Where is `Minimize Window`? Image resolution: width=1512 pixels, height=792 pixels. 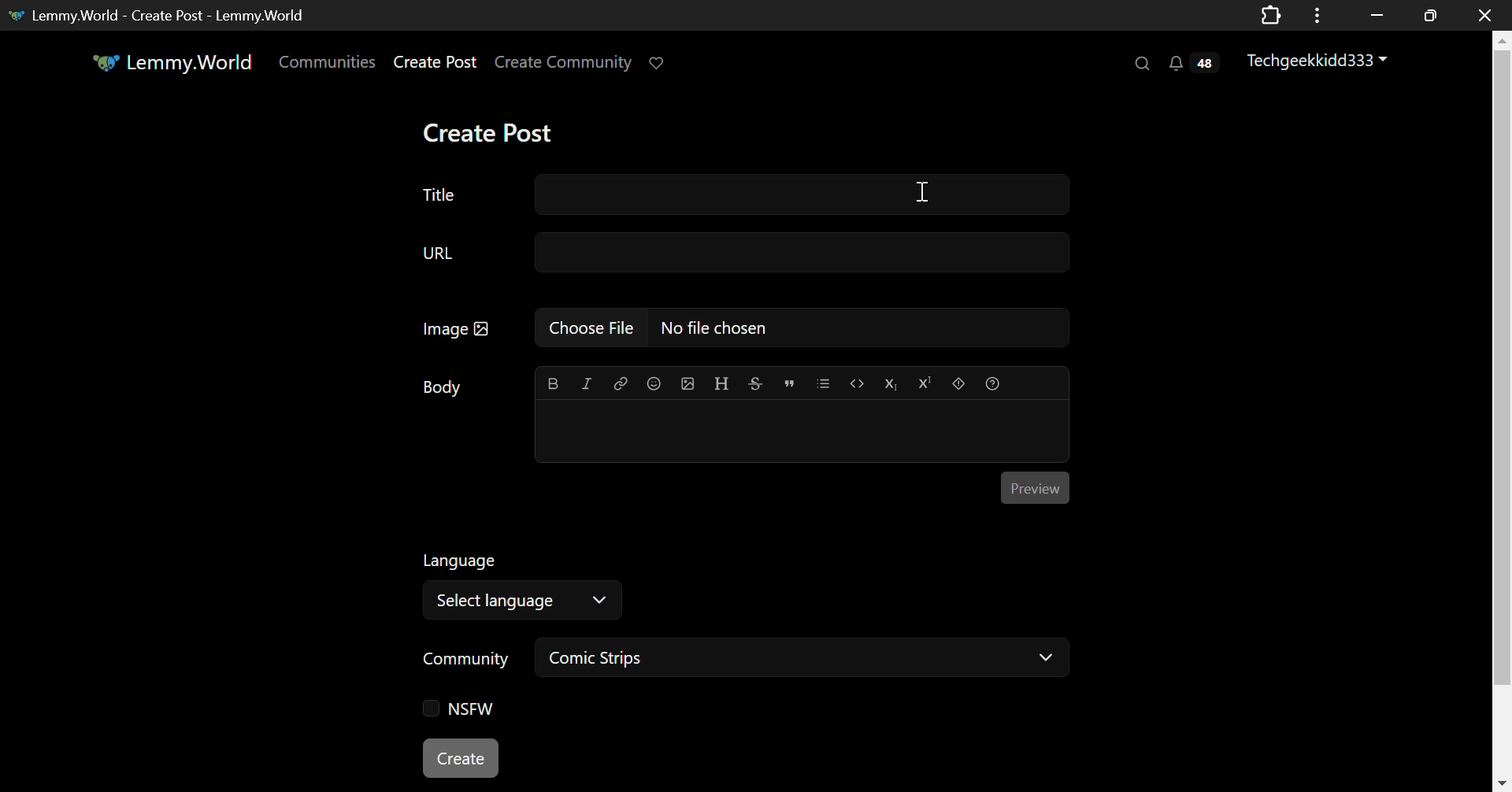
Minimize Window is located at coordinates (1432, 15).